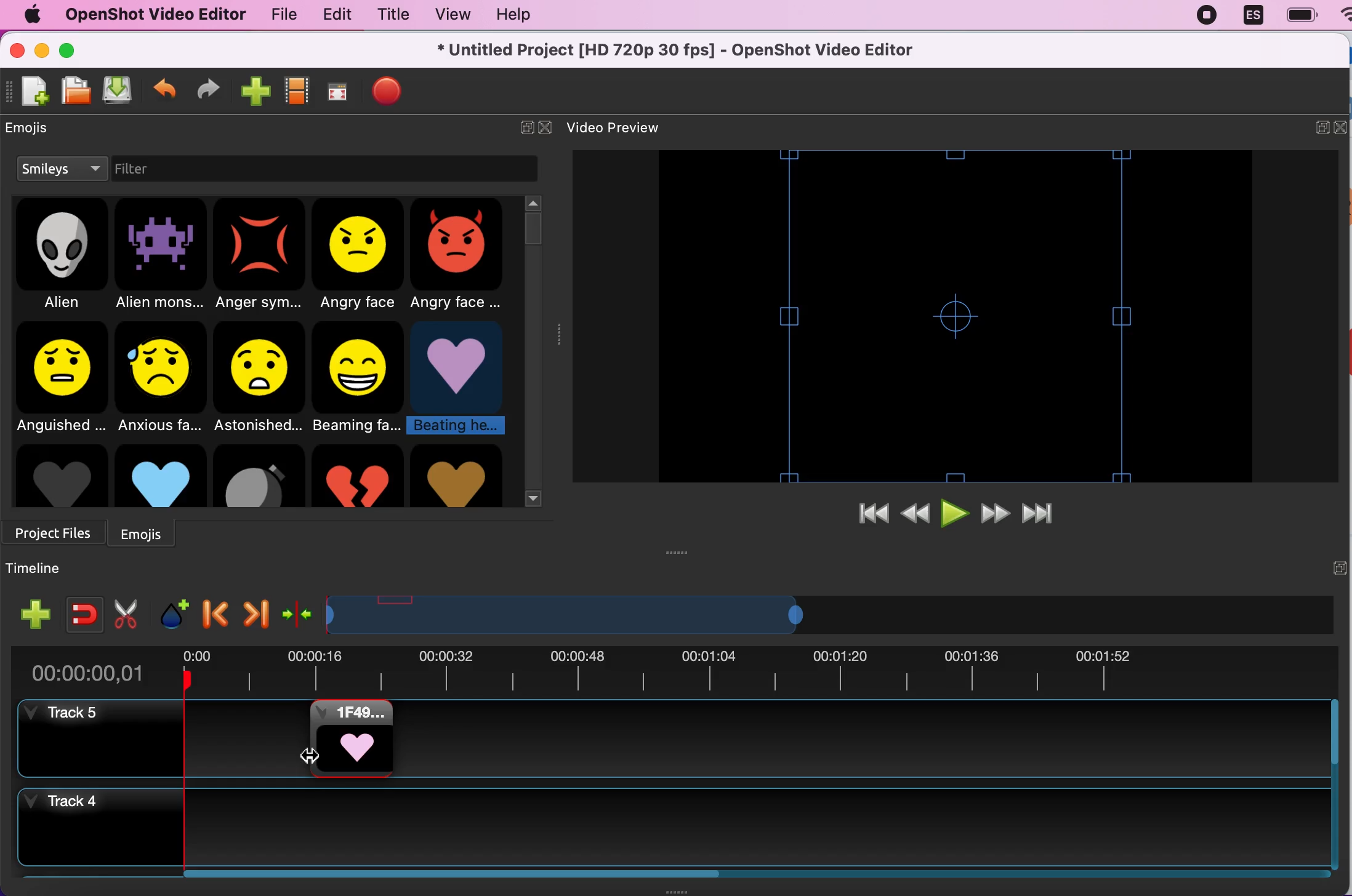 The height and width of the screenshot is (896, 1352). What do you see at coordinates (63, 257) in the screenshot?
I see `alien` at bounding box center [63, 257].